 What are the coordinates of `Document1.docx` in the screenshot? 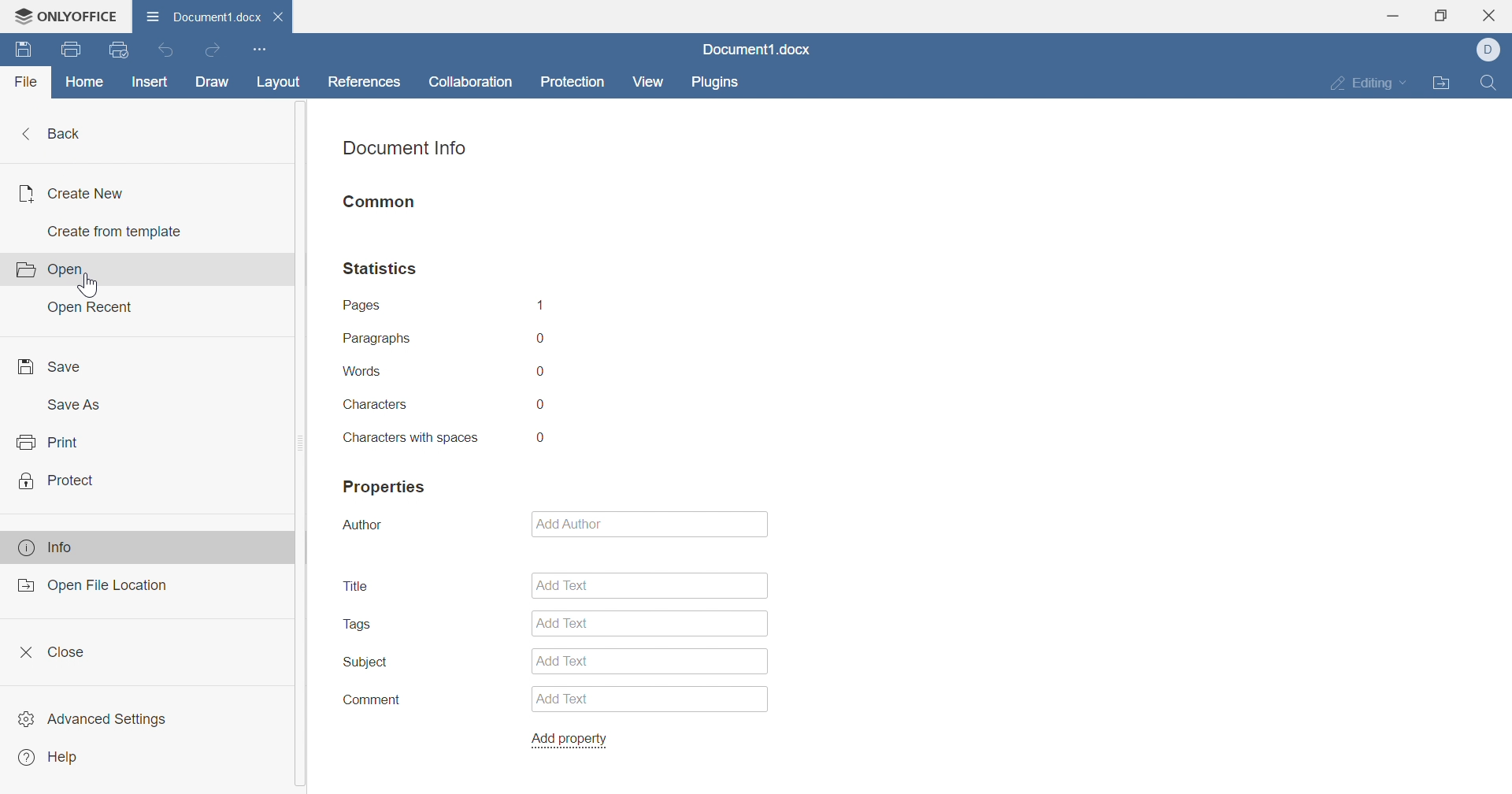 It's located at (754, 50).